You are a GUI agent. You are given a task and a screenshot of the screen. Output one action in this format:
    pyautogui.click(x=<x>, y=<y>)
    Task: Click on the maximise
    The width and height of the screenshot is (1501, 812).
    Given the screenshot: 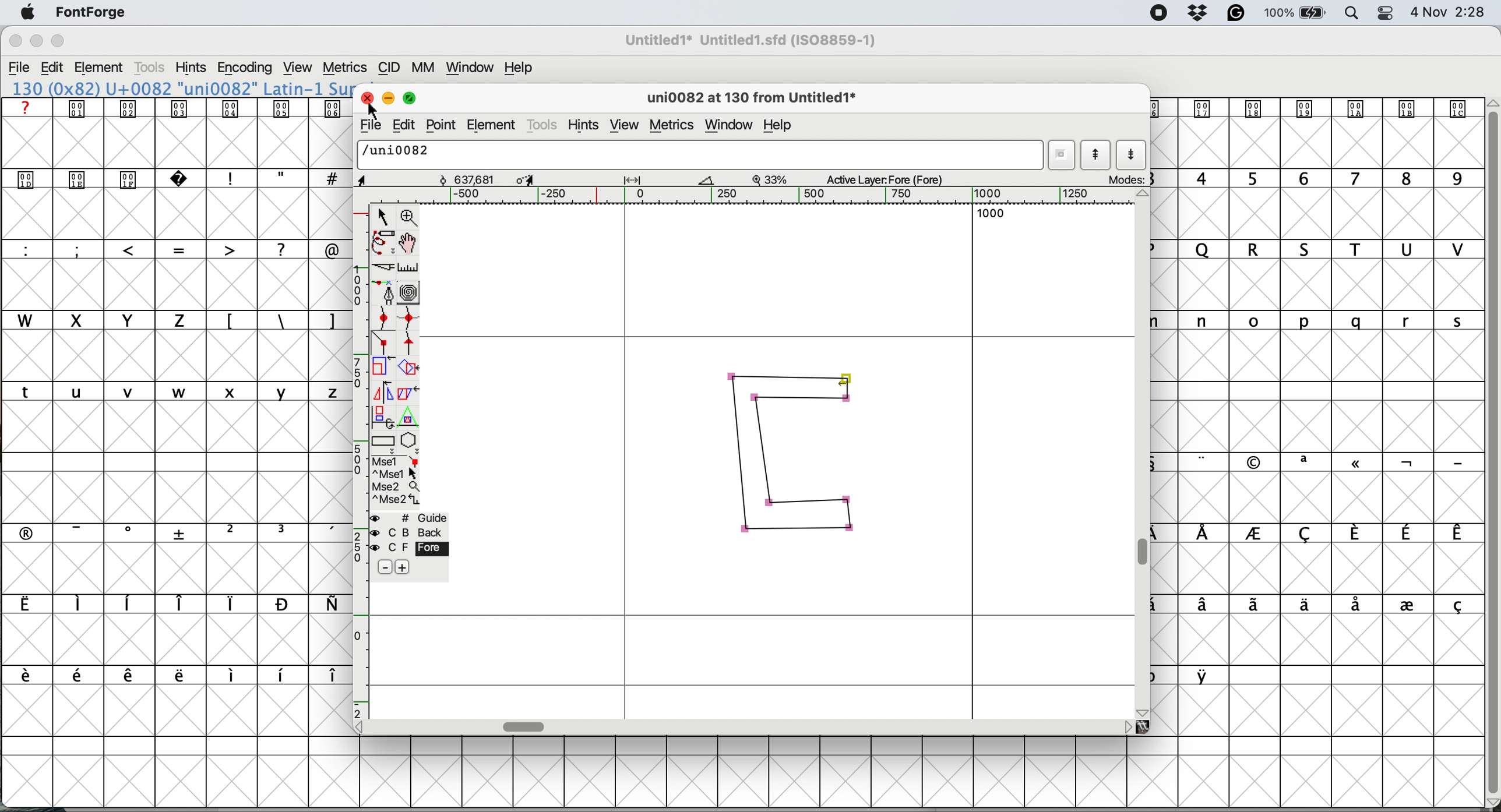 What is the action you would take?
    pyautogui.click(x=412, y=96)
    